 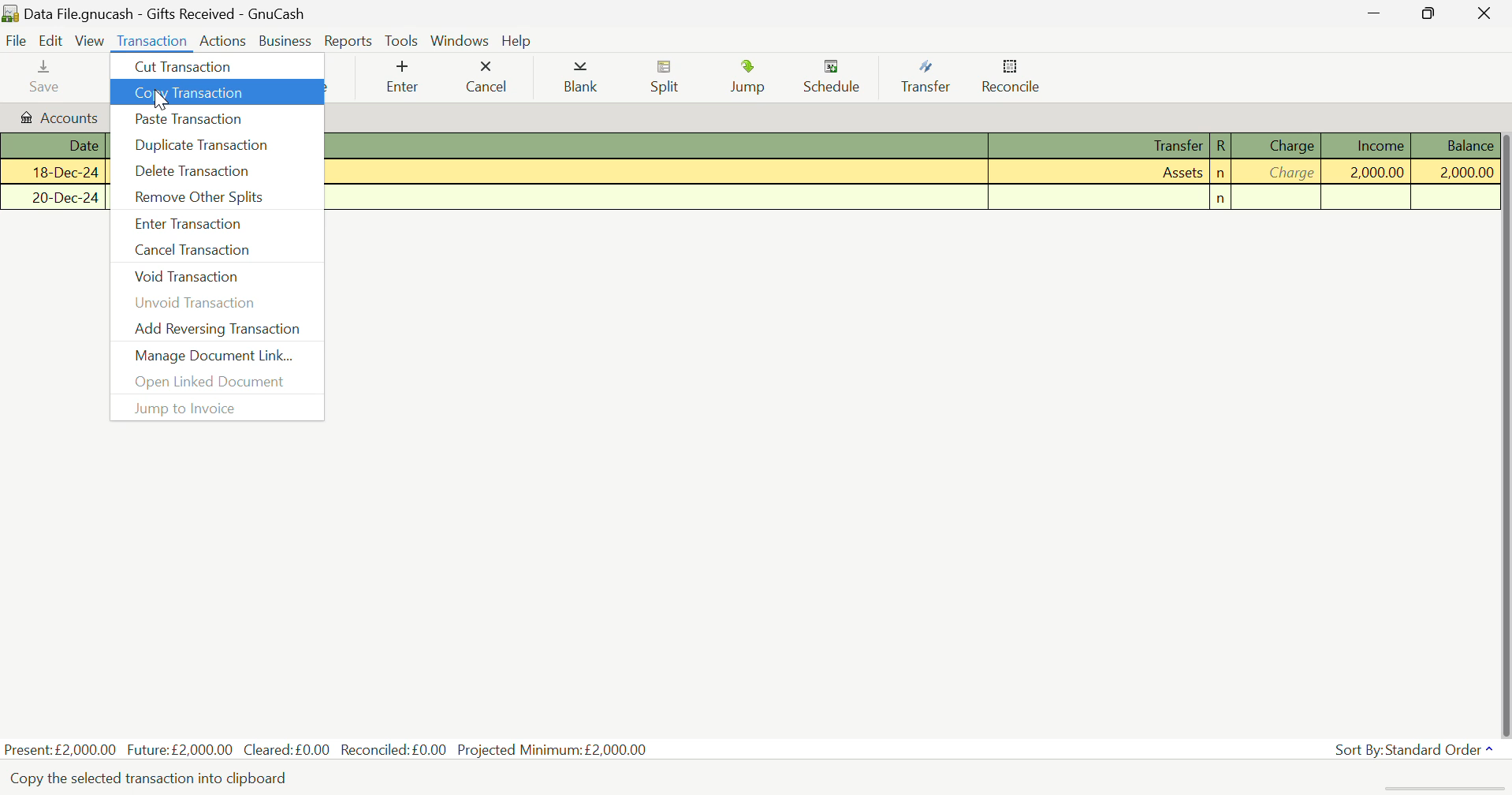 I want to click on Transfer, so click(x=1101, y=147).